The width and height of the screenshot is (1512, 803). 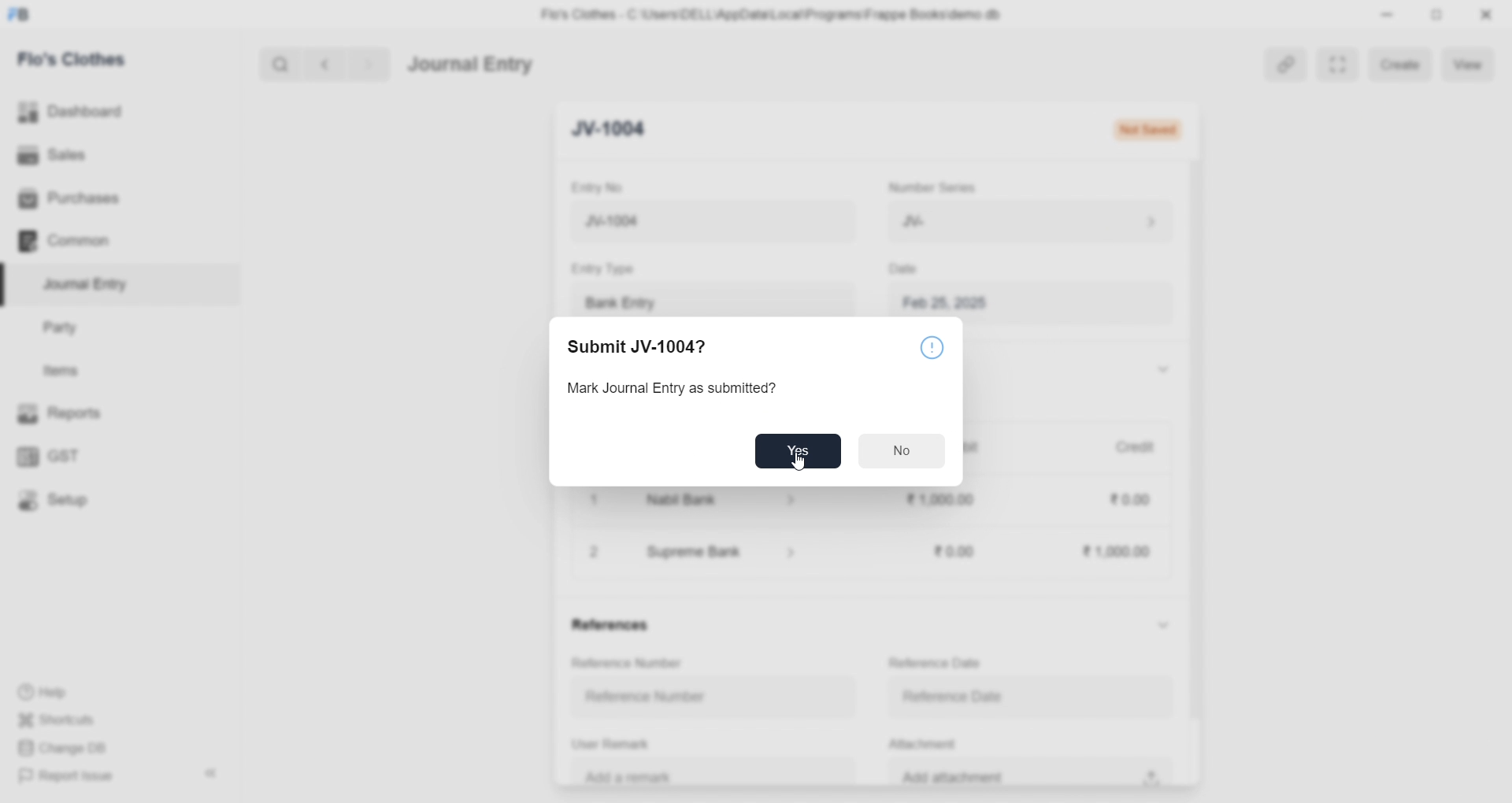 I want to click on Submit JV-1004?, so click(x=637, y=348).